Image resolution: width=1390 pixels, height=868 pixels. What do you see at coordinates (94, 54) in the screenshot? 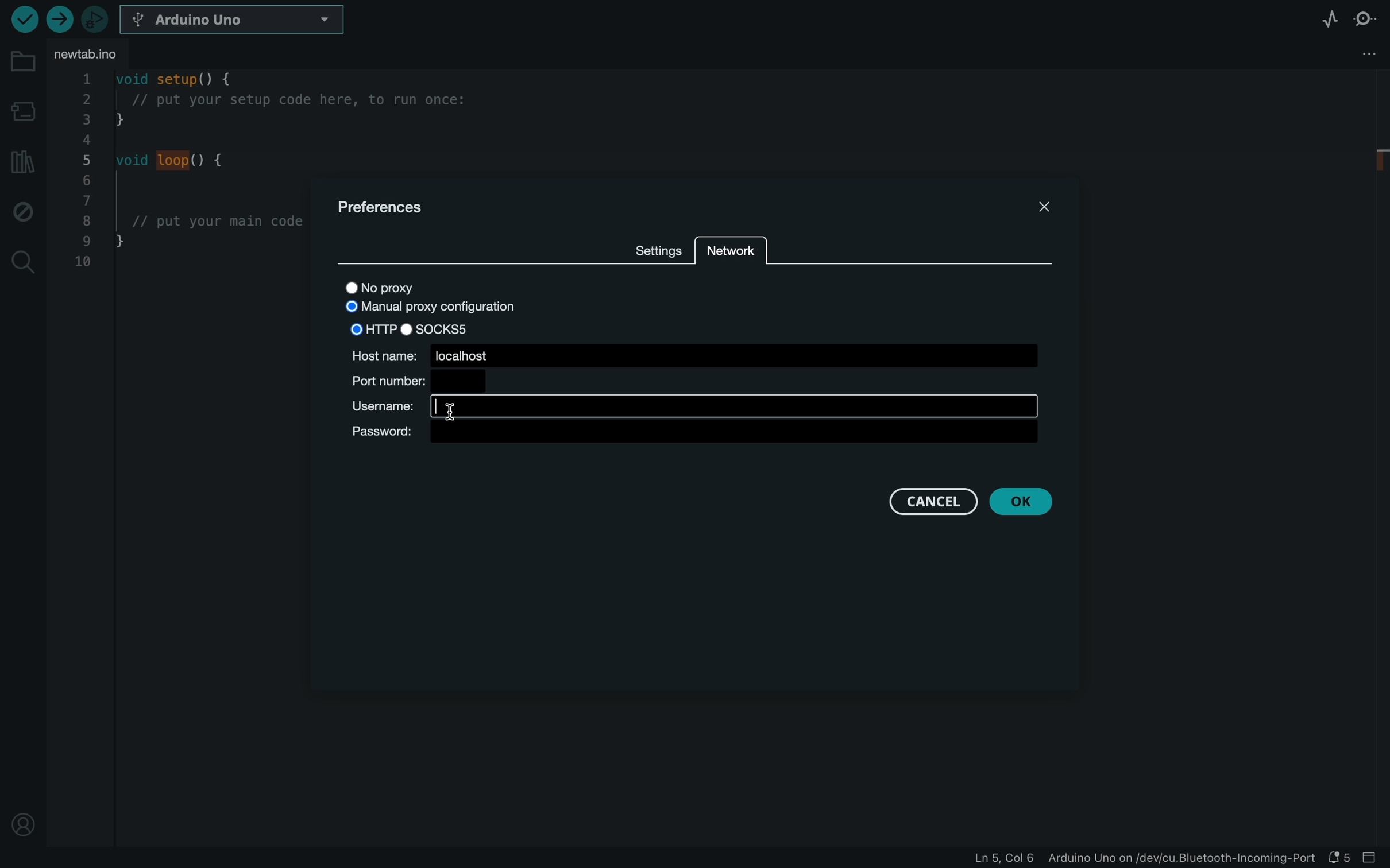
I see `file tab` at bounding box center [94, 54].